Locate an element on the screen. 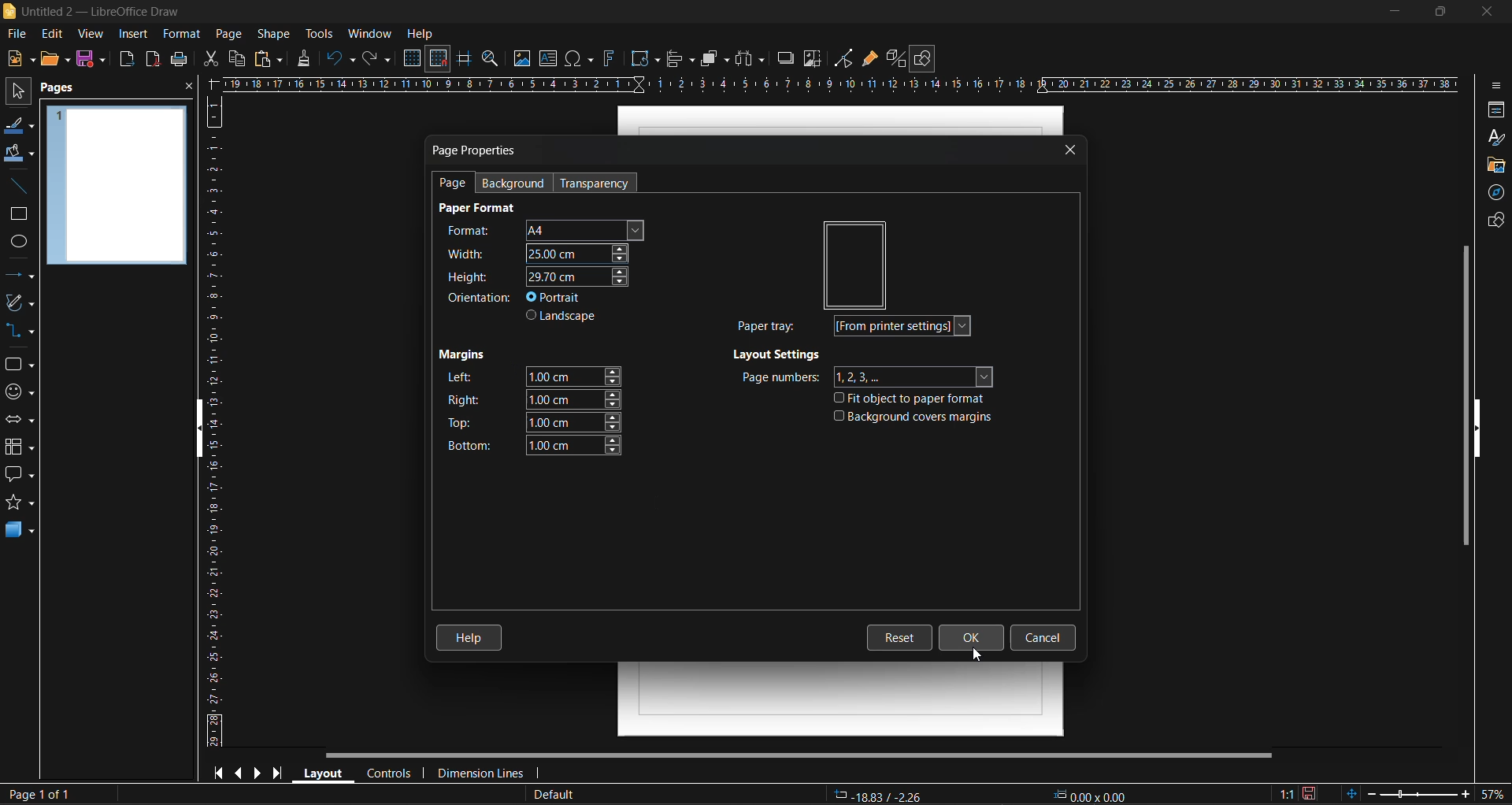 Image resolution: width=1512 pixels, height=805 pixels. hide is located at coordinates (1484, 429).